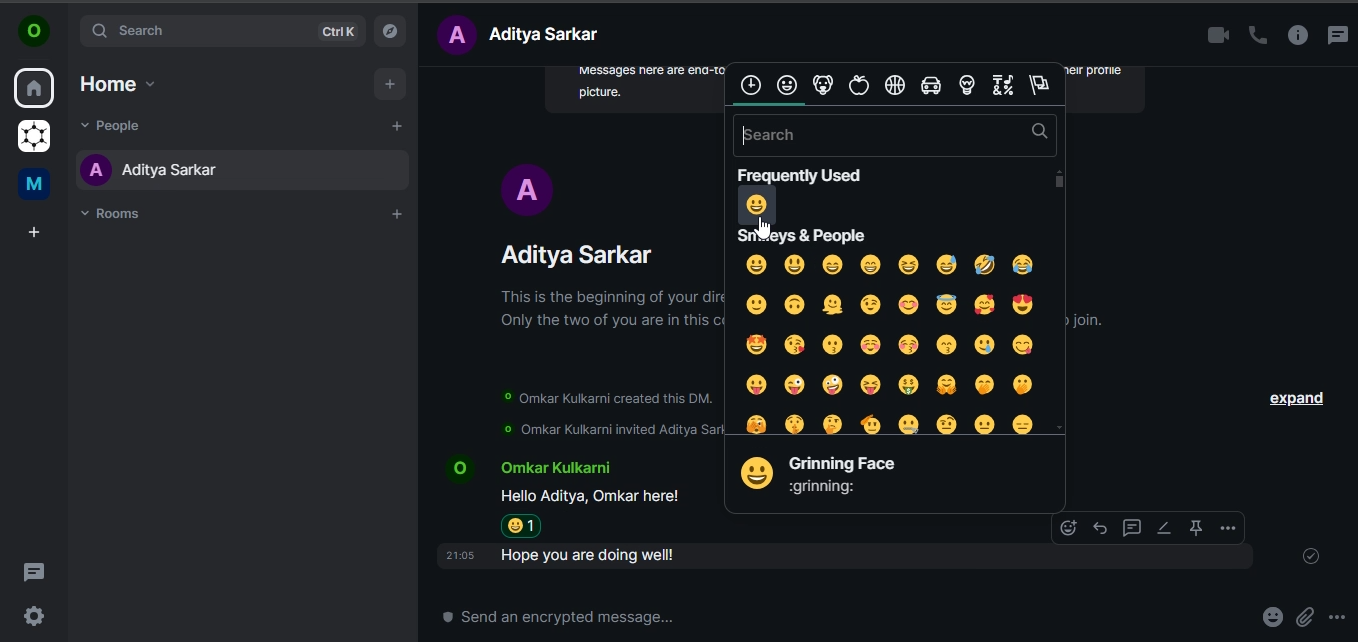 The height and width of the screenshot is (642, 1358). What do you see at coordinates (912, 304) in the screenshot?
I see `smiling facewith smiling eyes` at bounding box center [912, 304].